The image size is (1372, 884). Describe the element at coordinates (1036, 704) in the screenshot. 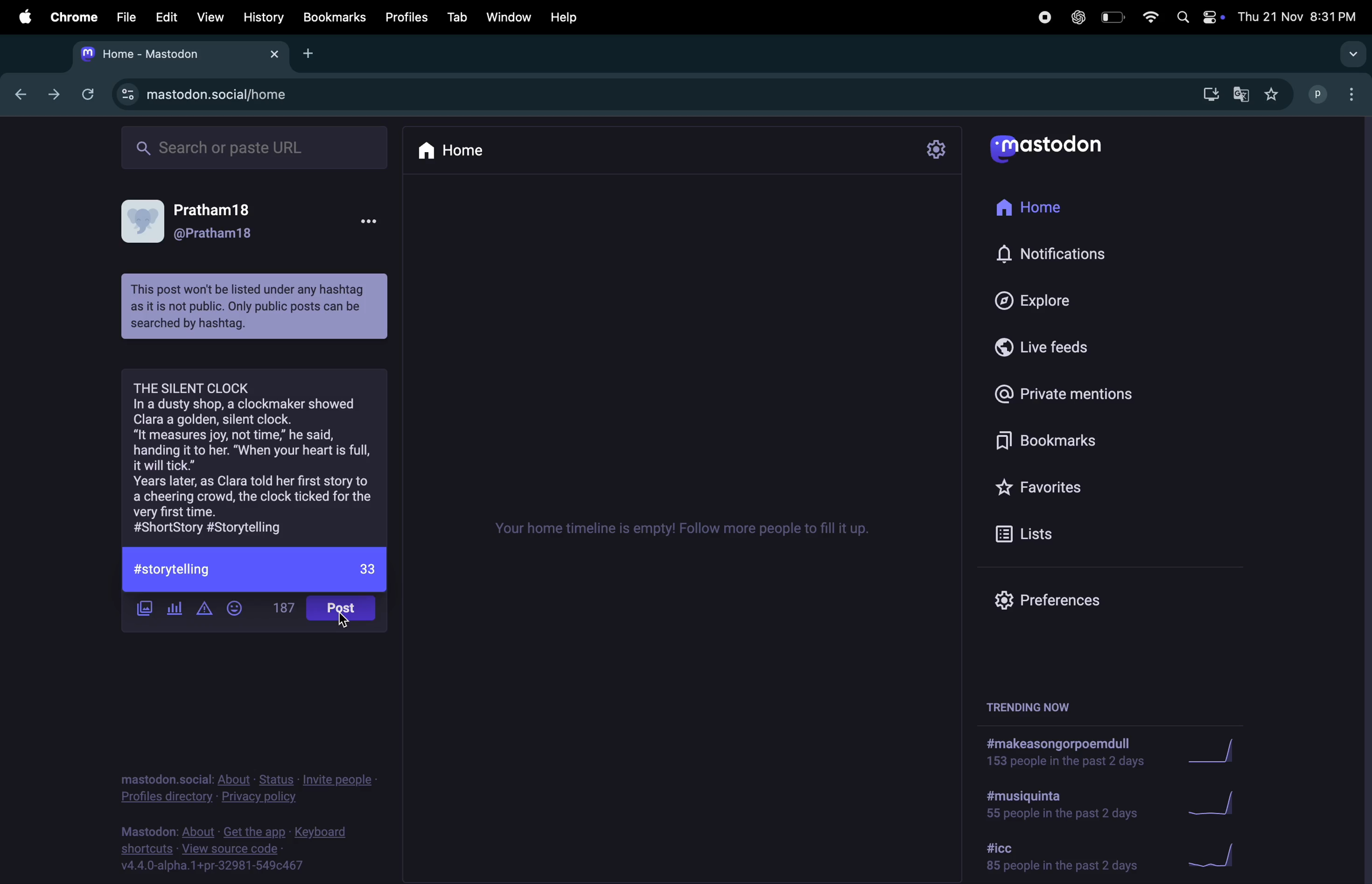

I see `trending now` at that location.